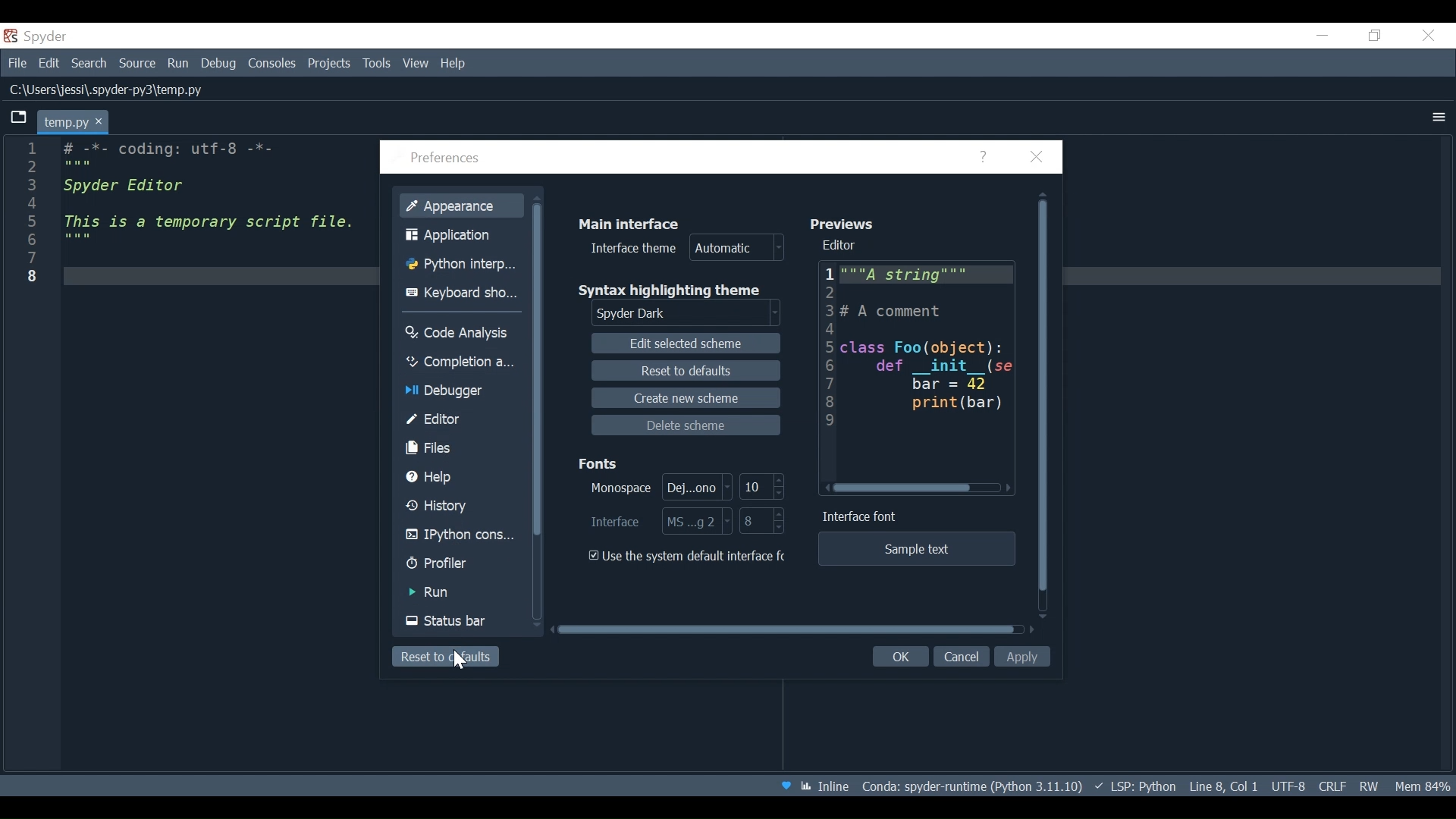 Image resolution: width=1456 pixels, height=819 pixels. Describe the element at coordinates (462, 661) in the screenshot. I see `Cursor` at that location.